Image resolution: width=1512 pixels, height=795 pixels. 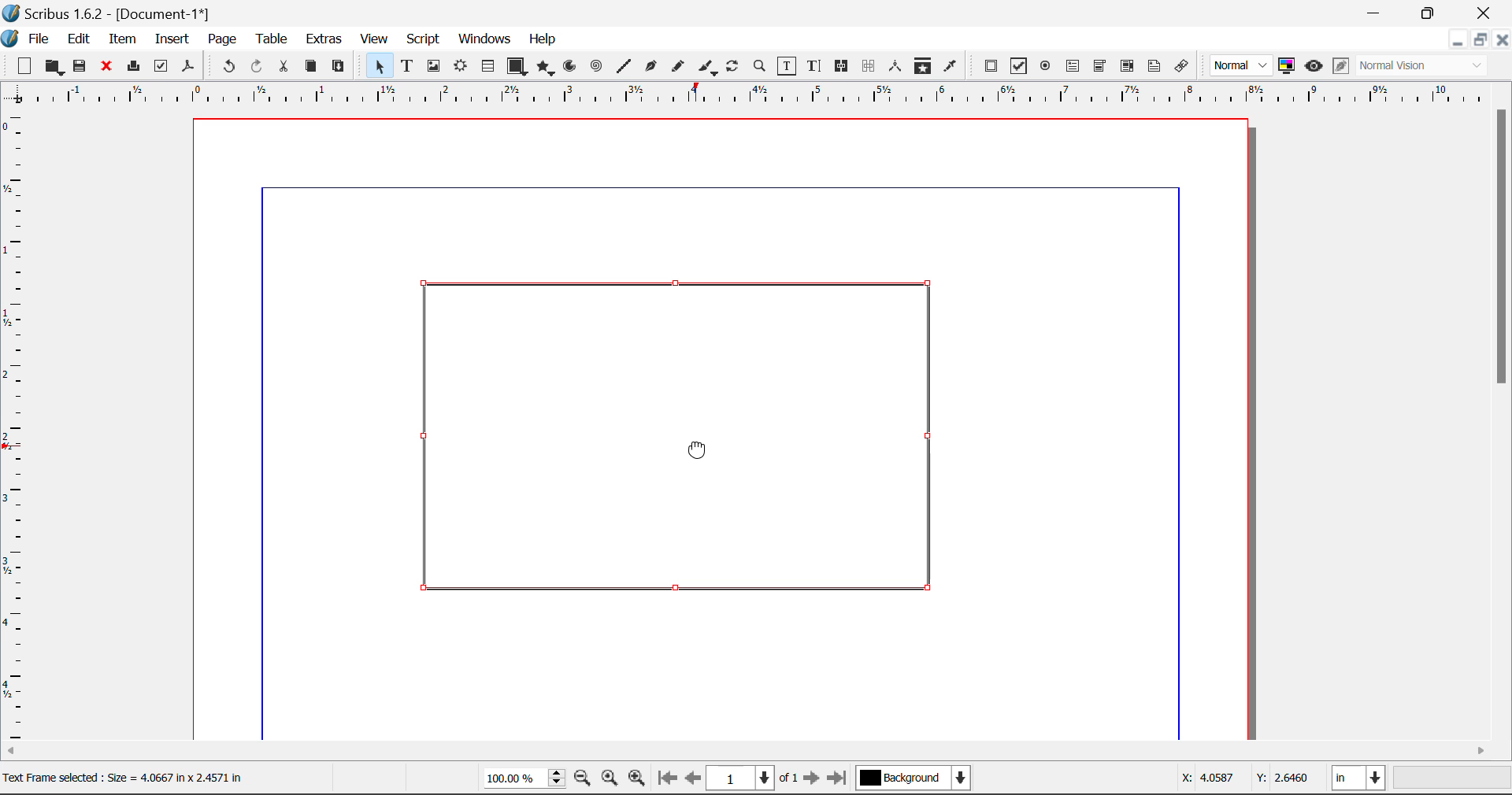 What do you see at coordinates (842, 66) in the screenshot?
I see `Link Frames` at bounding box center [842, 66].